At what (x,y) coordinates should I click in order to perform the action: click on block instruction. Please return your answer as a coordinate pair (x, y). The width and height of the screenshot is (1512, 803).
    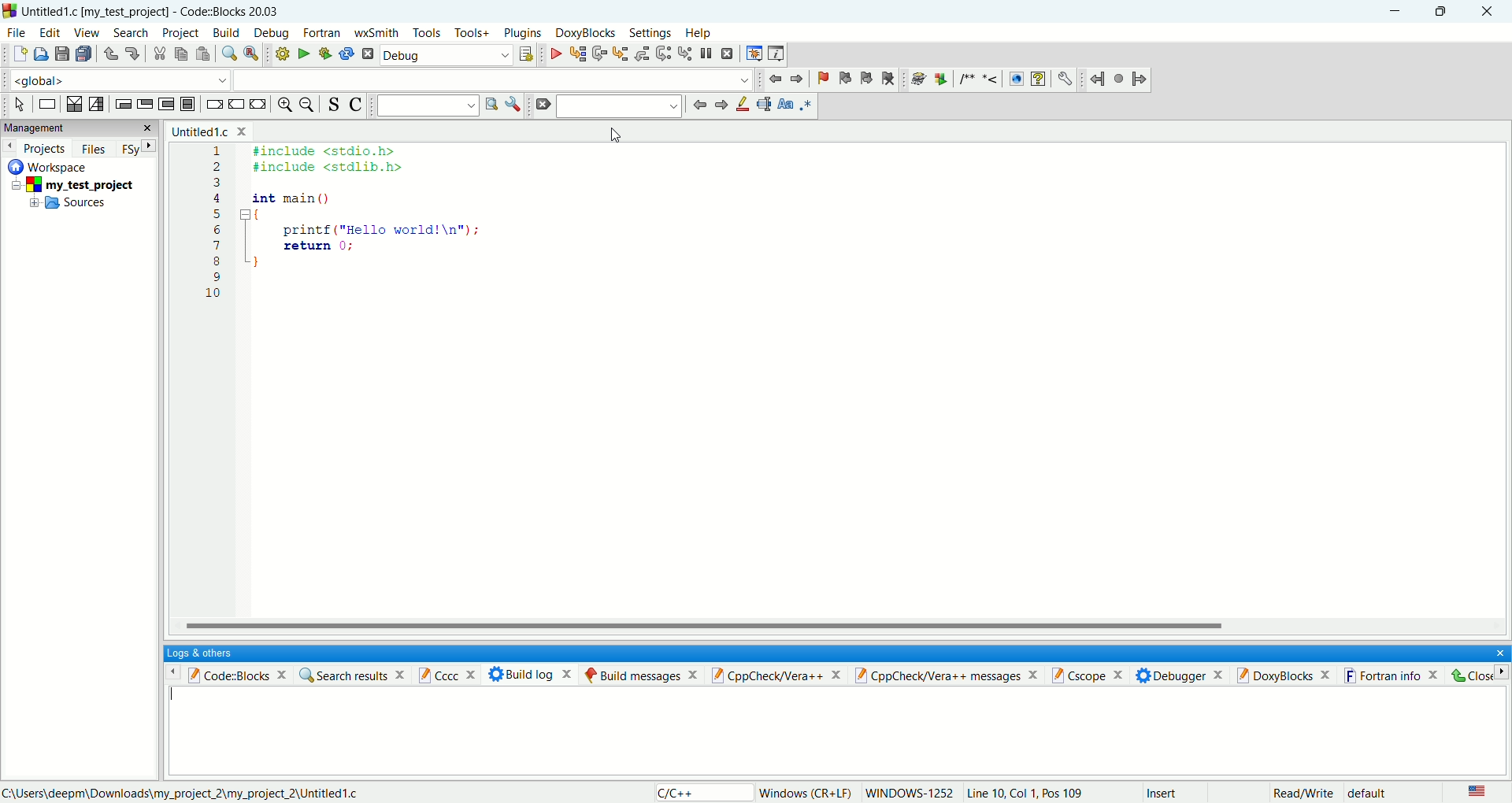
    Looking at the image, I should click on (189, 104).